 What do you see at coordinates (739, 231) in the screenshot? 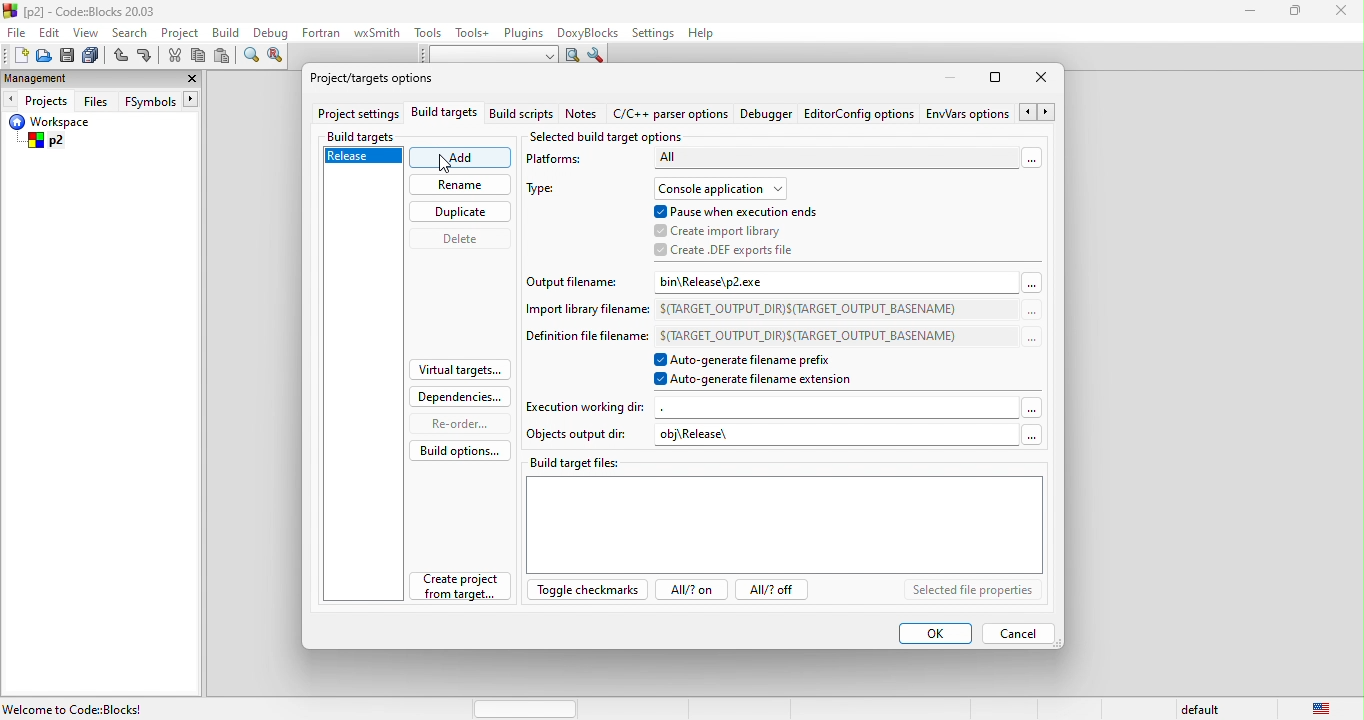
I see `create import library ` at bounding box center [739, 231].